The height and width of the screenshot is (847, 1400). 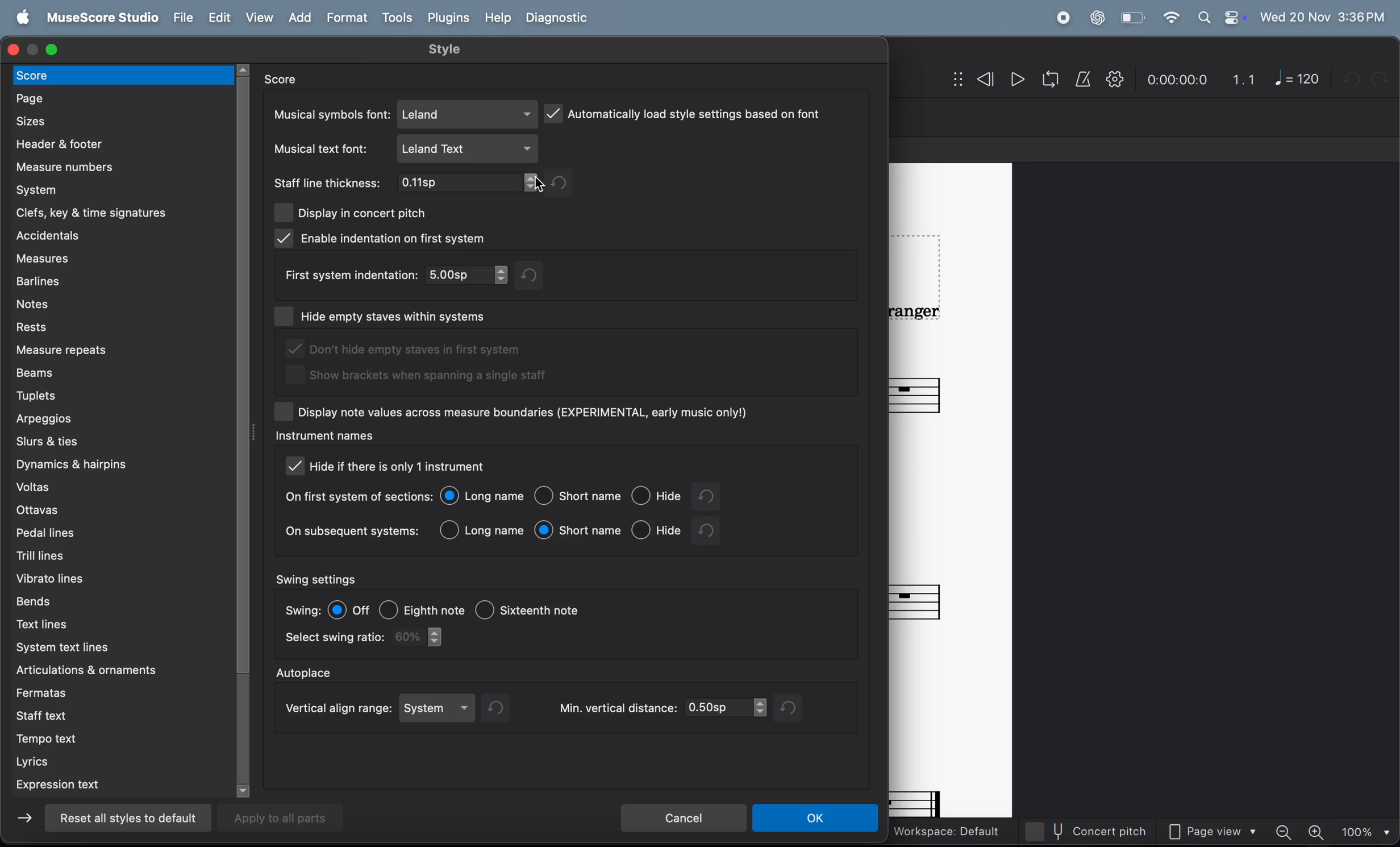 What do you see at coordinates (422, 637) in the screenshot?
I see `80 ` at bounding box center [422, 637].